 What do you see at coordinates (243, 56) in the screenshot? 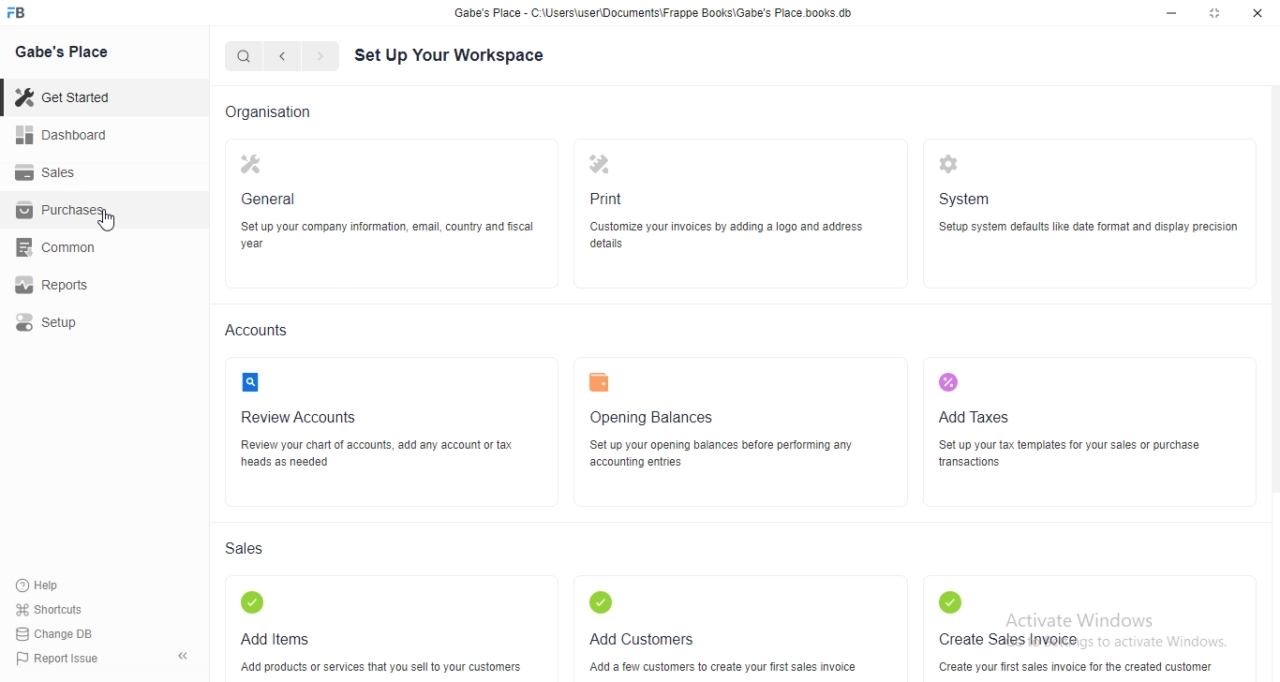
I see `Search` at bounding box center [243, 56].